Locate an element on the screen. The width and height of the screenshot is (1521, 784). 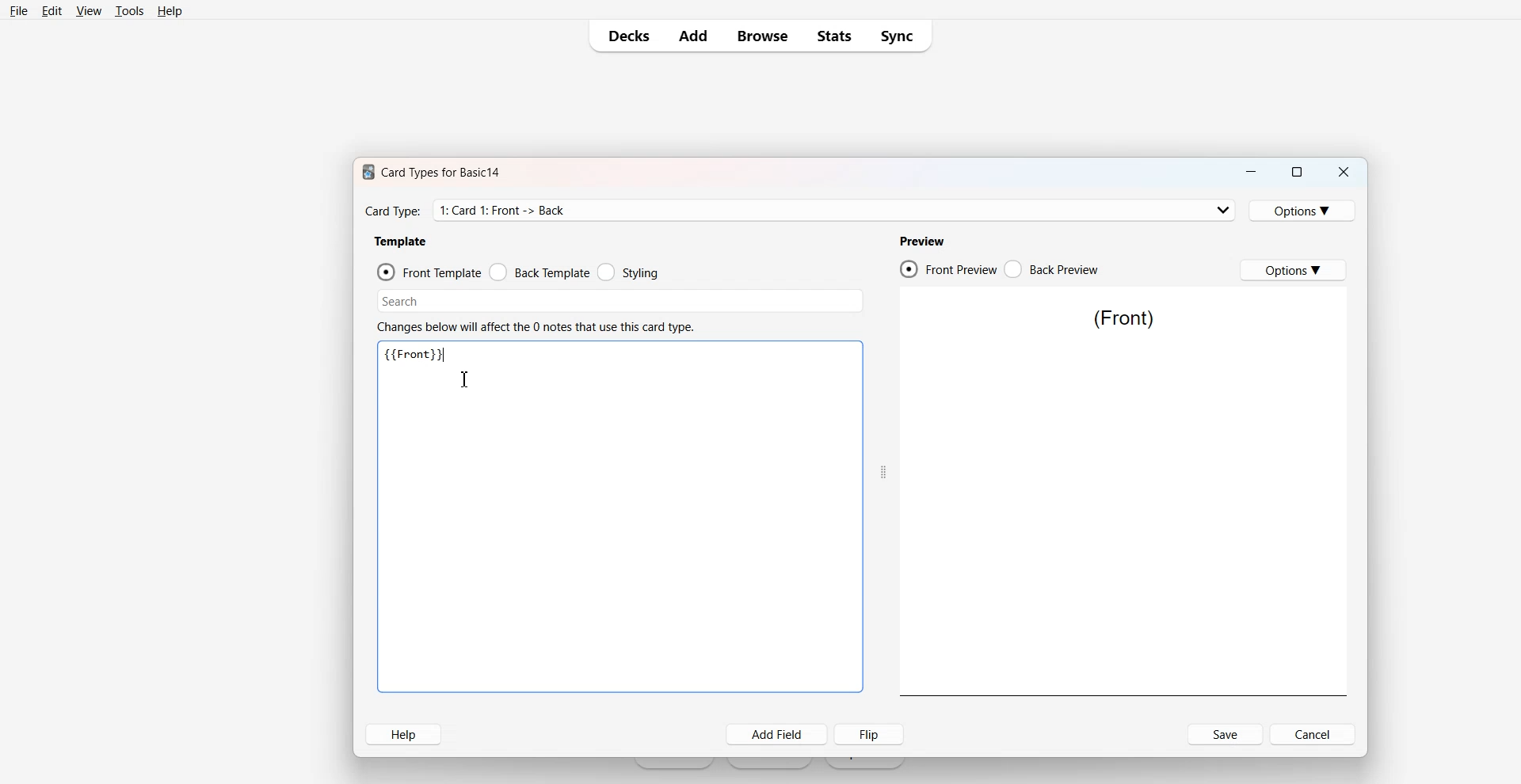
Import File is located at coordinates (865, 764).